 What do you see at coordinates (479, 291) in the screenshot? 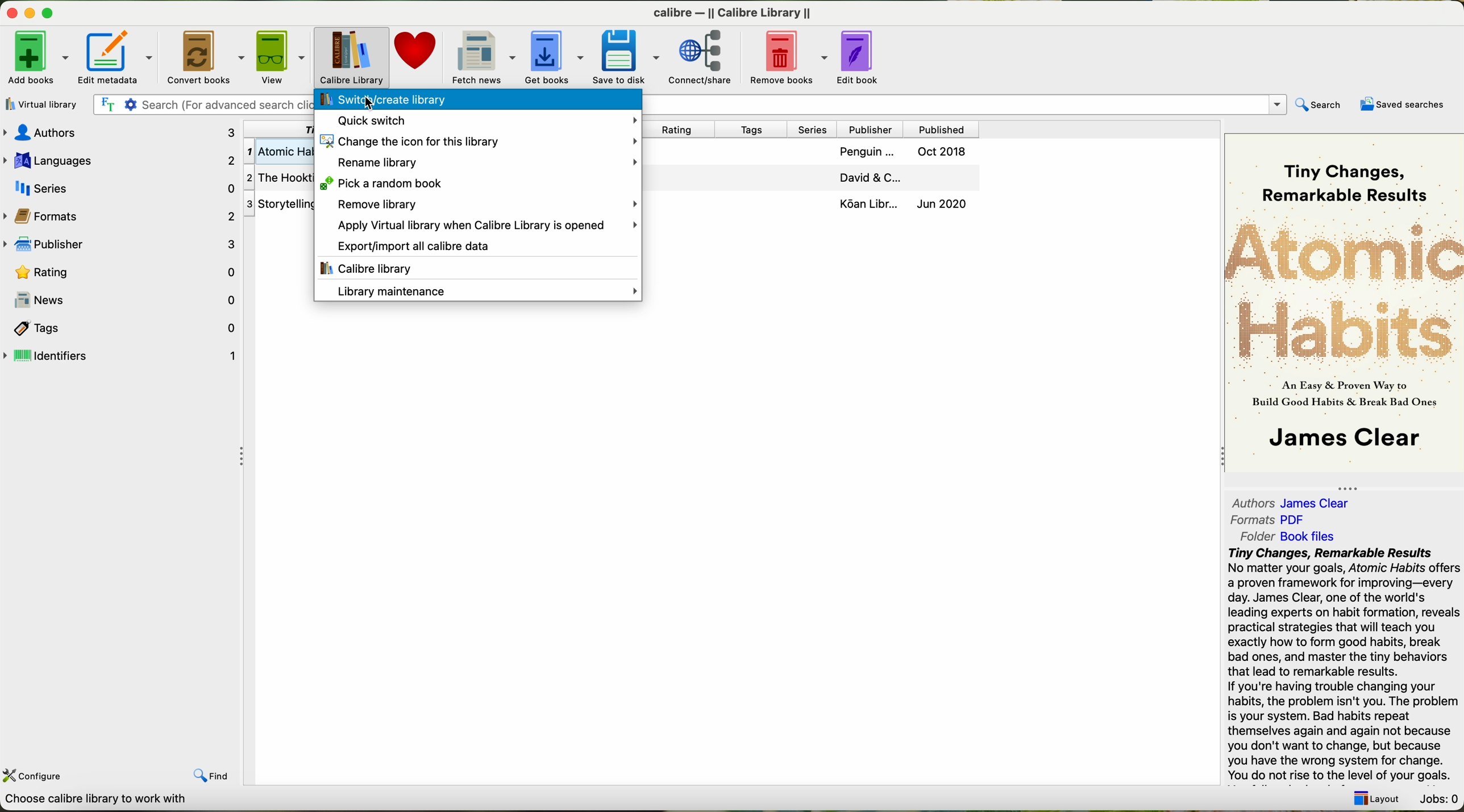
I see `library maintenance` at bounding box center [479, 291].